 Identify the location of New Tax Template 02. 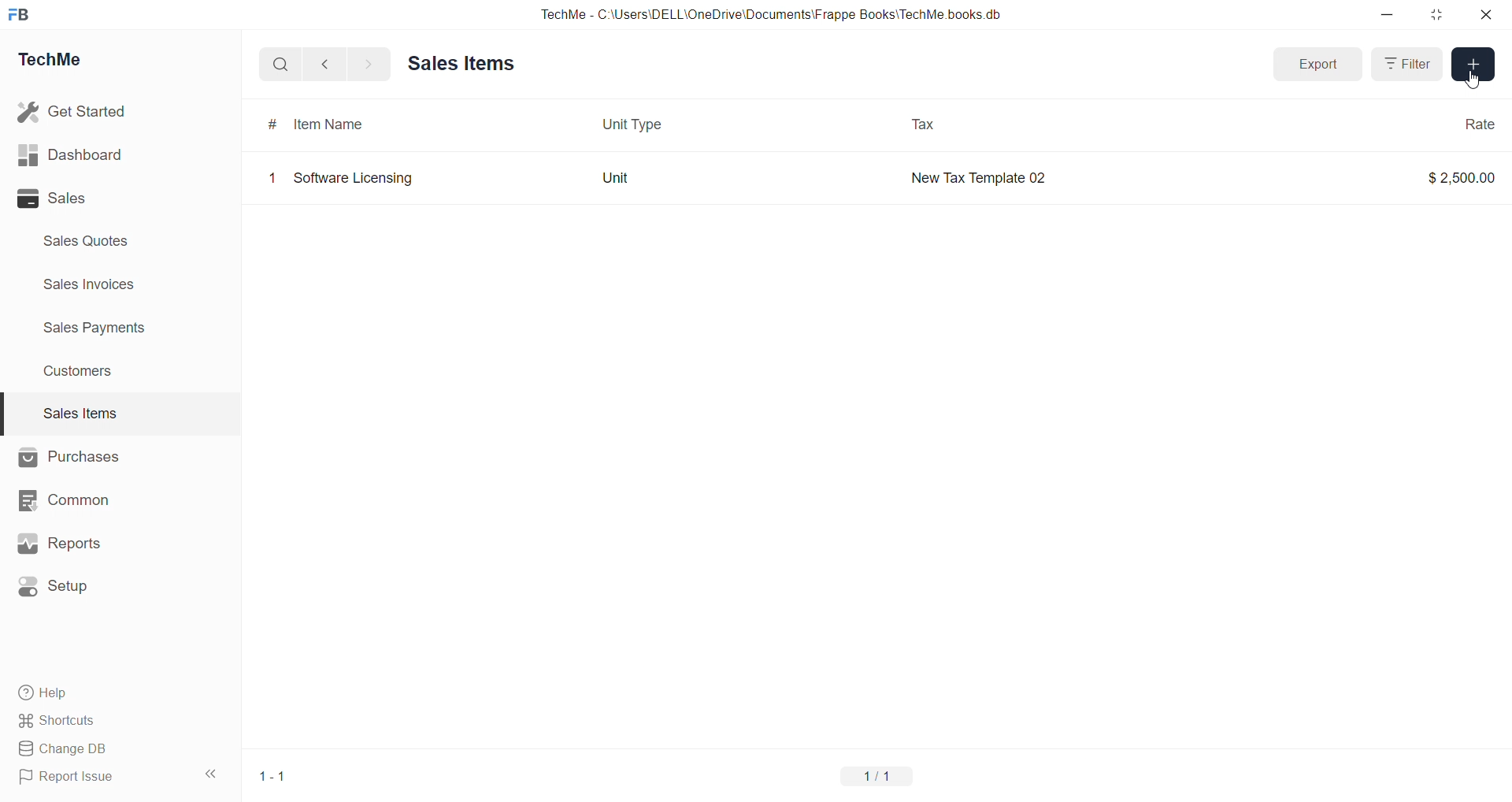
(977, 177).